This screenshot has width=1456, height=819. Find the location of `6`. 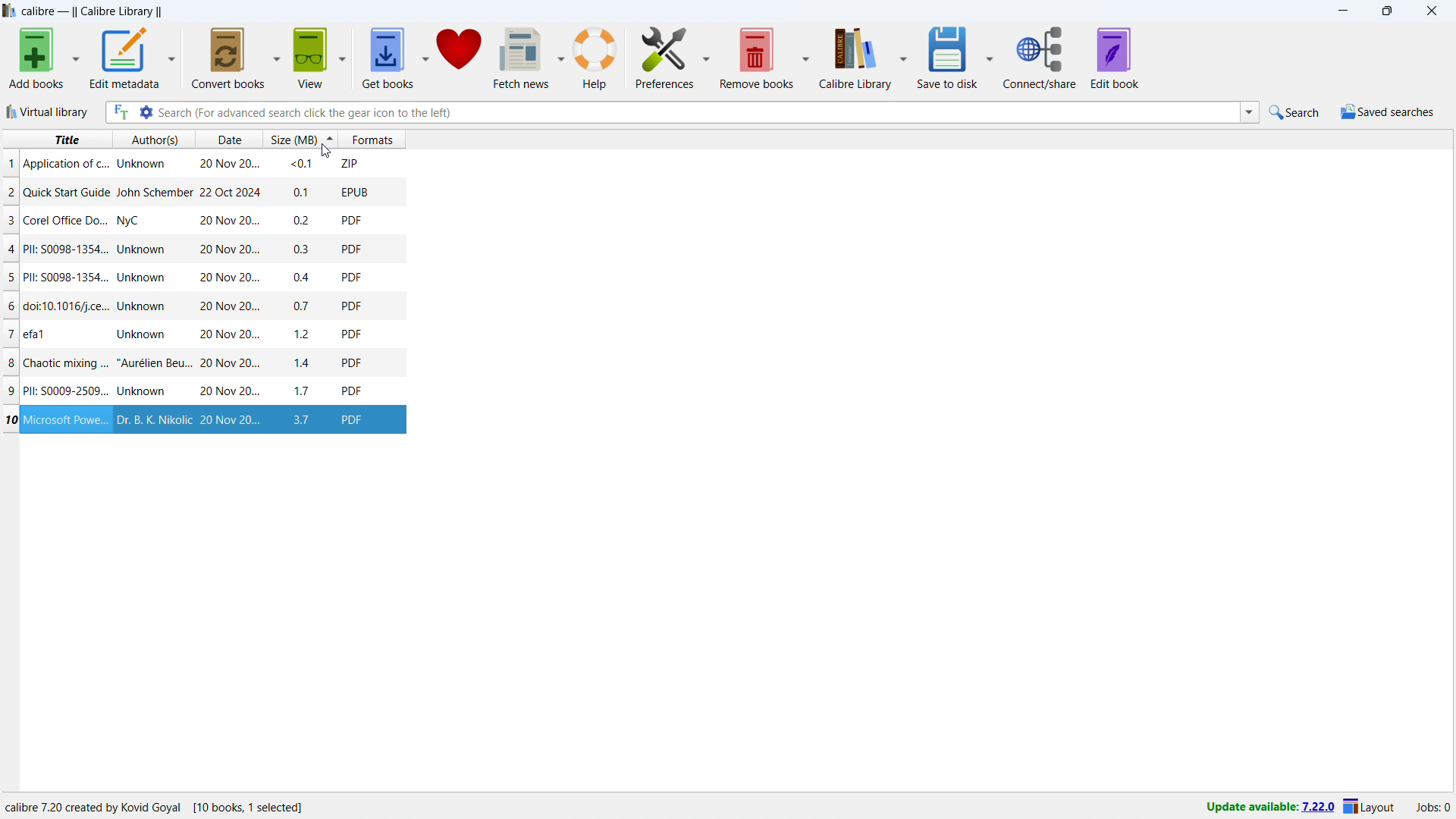

6 is located at coordinates (9, 306).